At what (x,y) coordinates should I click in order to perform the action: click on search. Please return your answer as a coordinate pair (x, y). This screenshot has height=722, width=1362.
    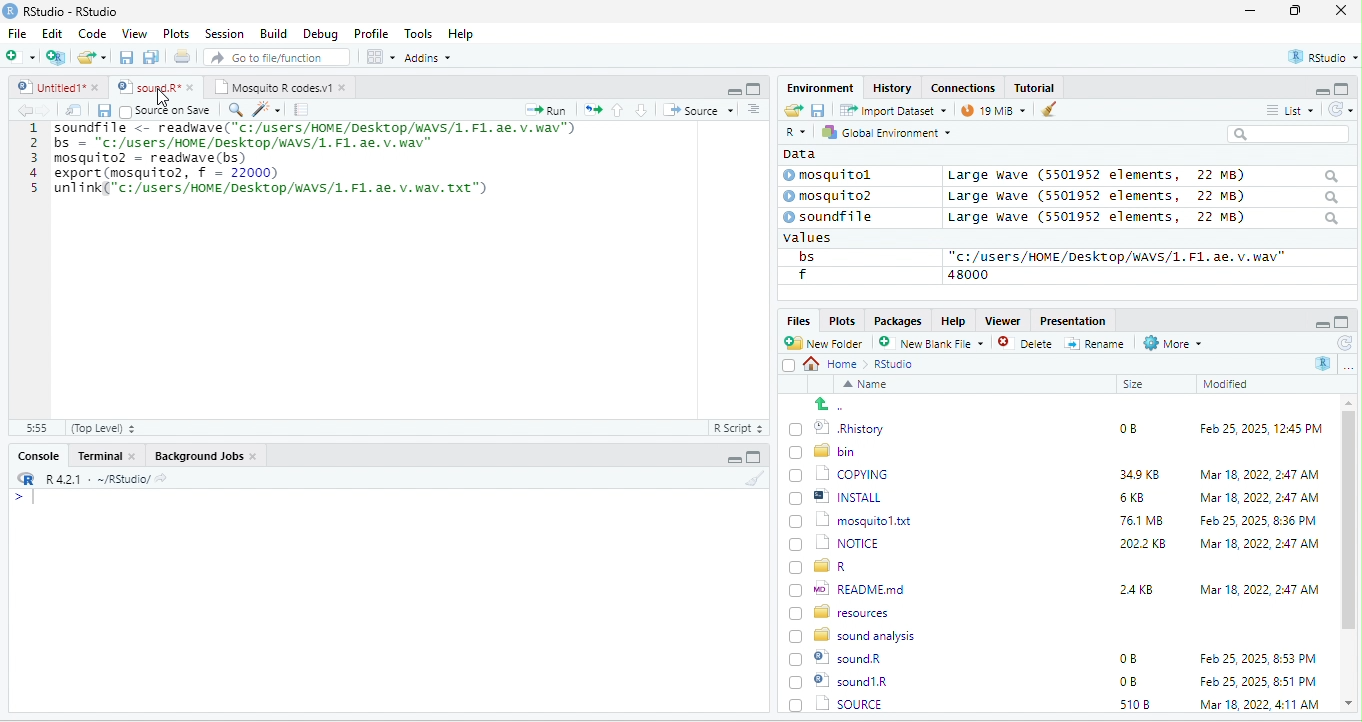
    Looking at the image, I should click on (1288, 134).